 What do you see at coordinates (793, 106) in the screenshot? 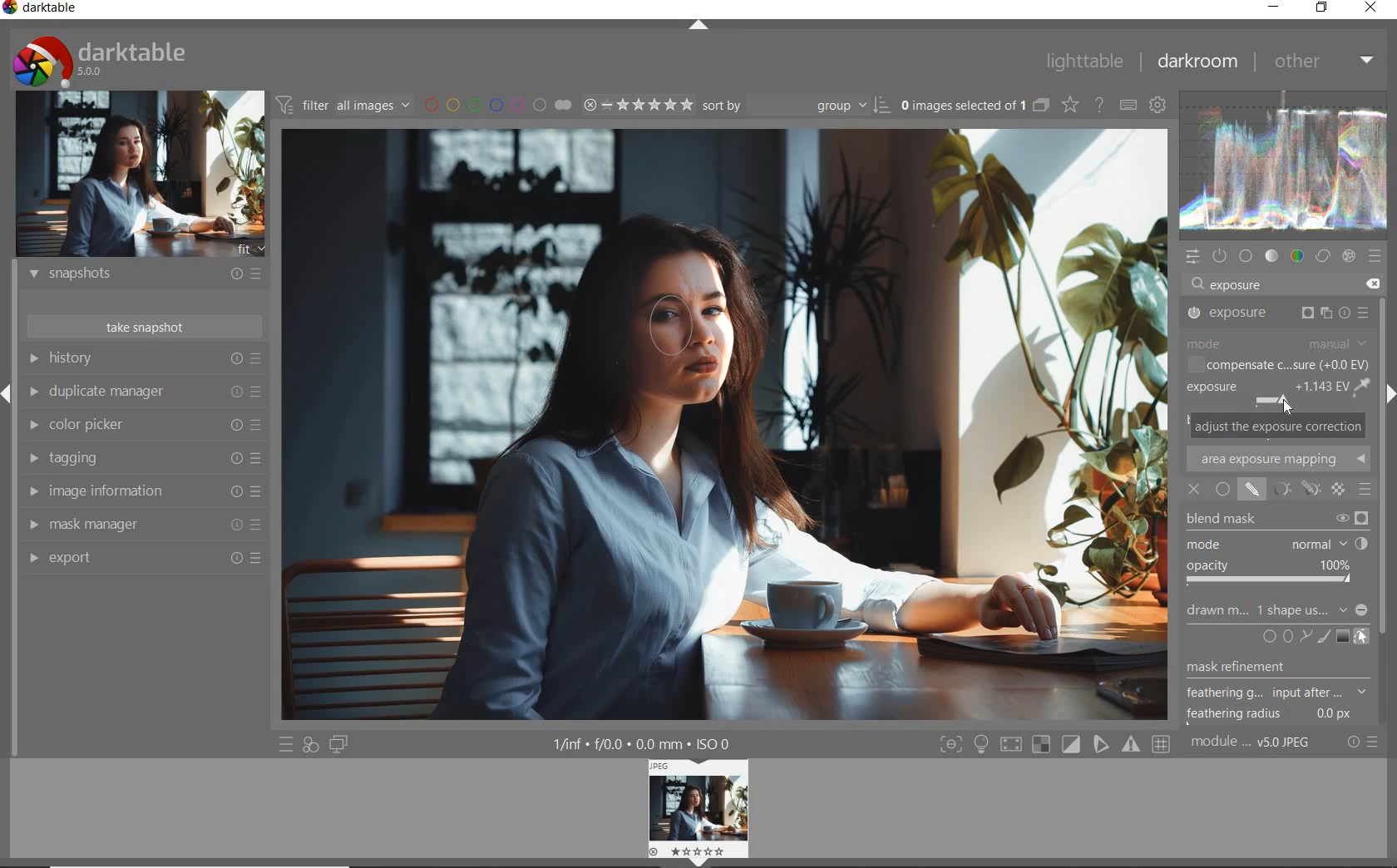
I see `sort` at bounding box center [793, 106].